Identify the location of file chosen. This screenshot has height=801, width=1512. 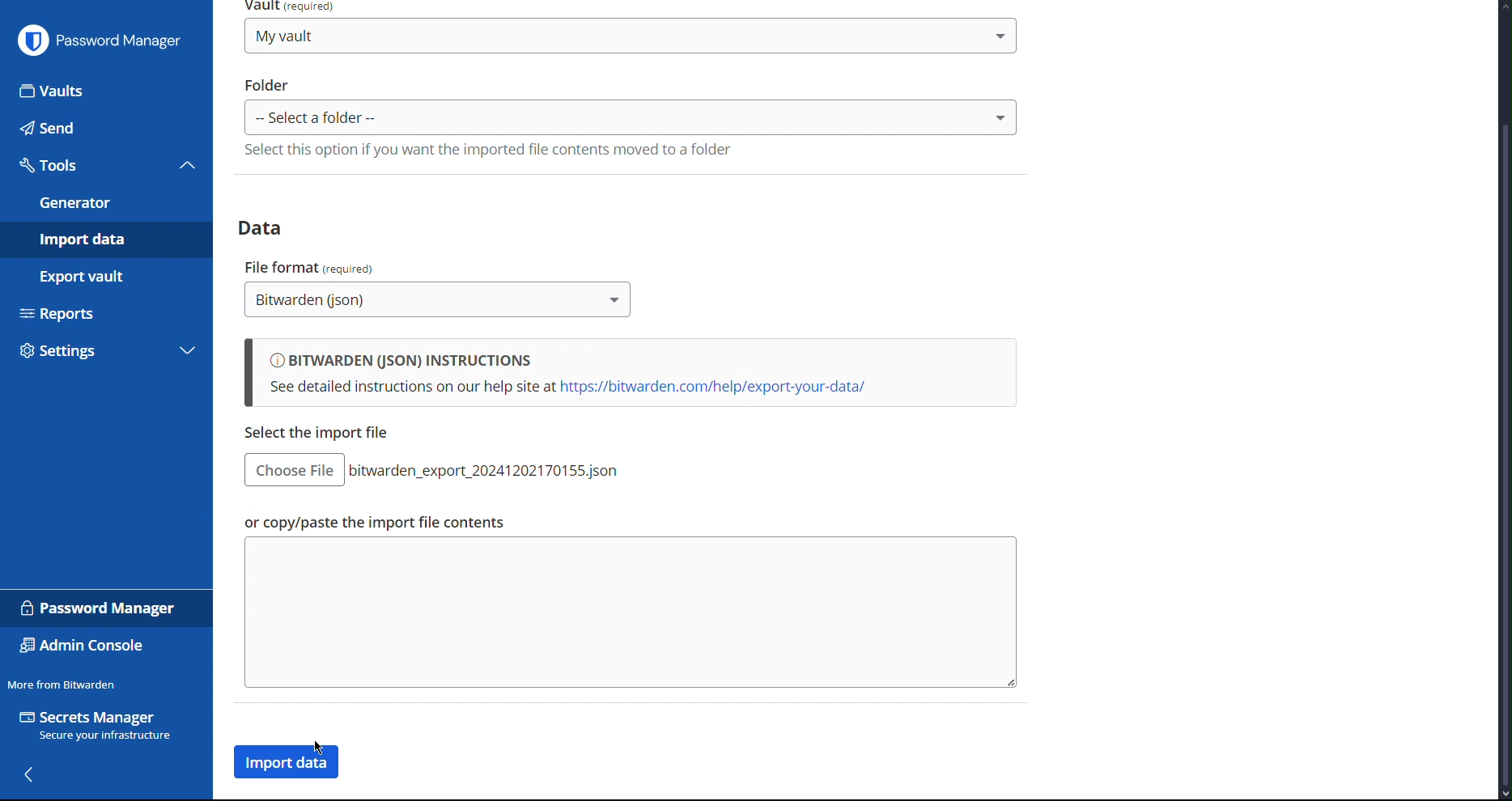
(491, 470).